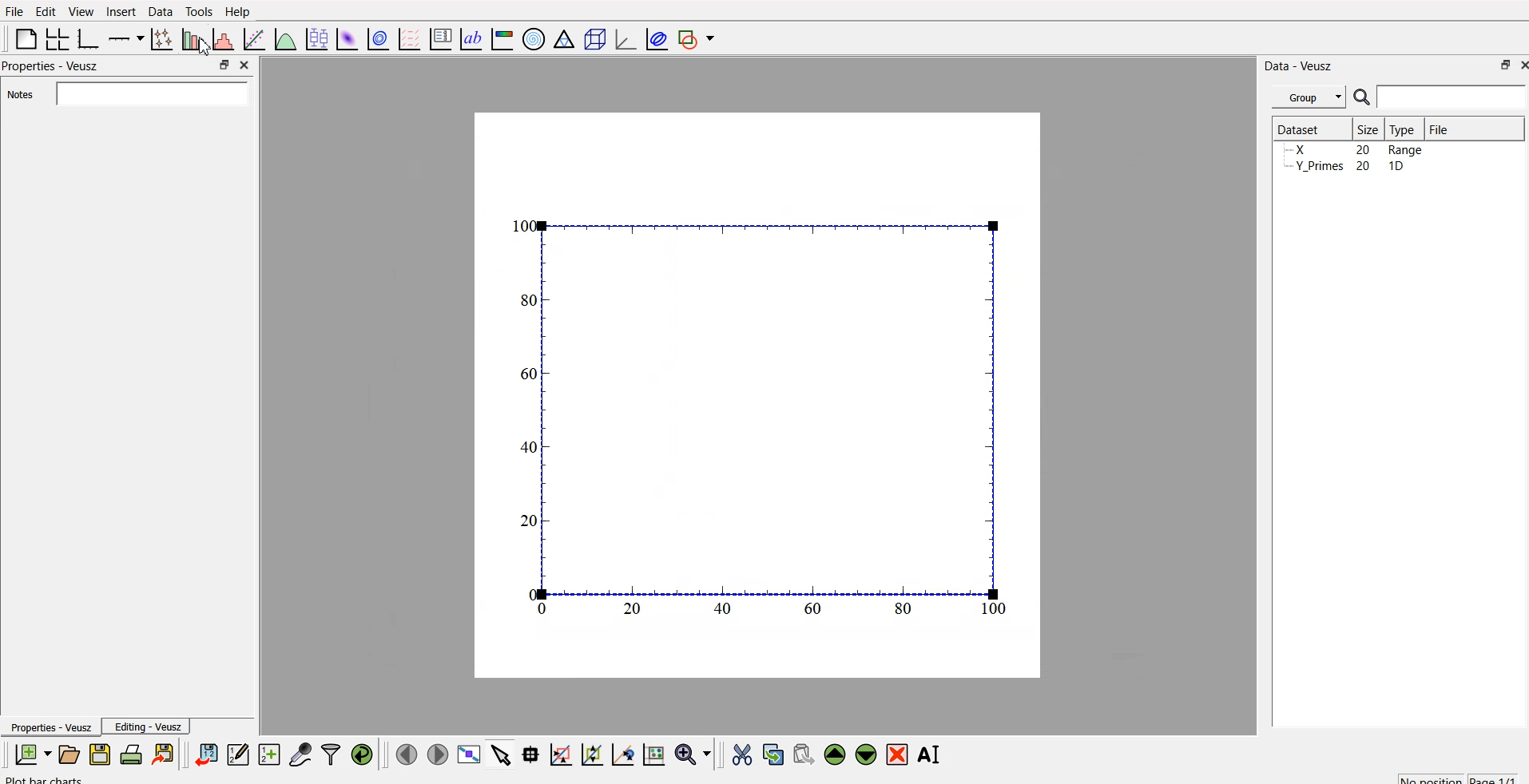 Image resolution: width=1529 pixels, height=784 pixels. Describe the element at coordinates (1406, 129) in the screenshot. I see `Type` at that location.